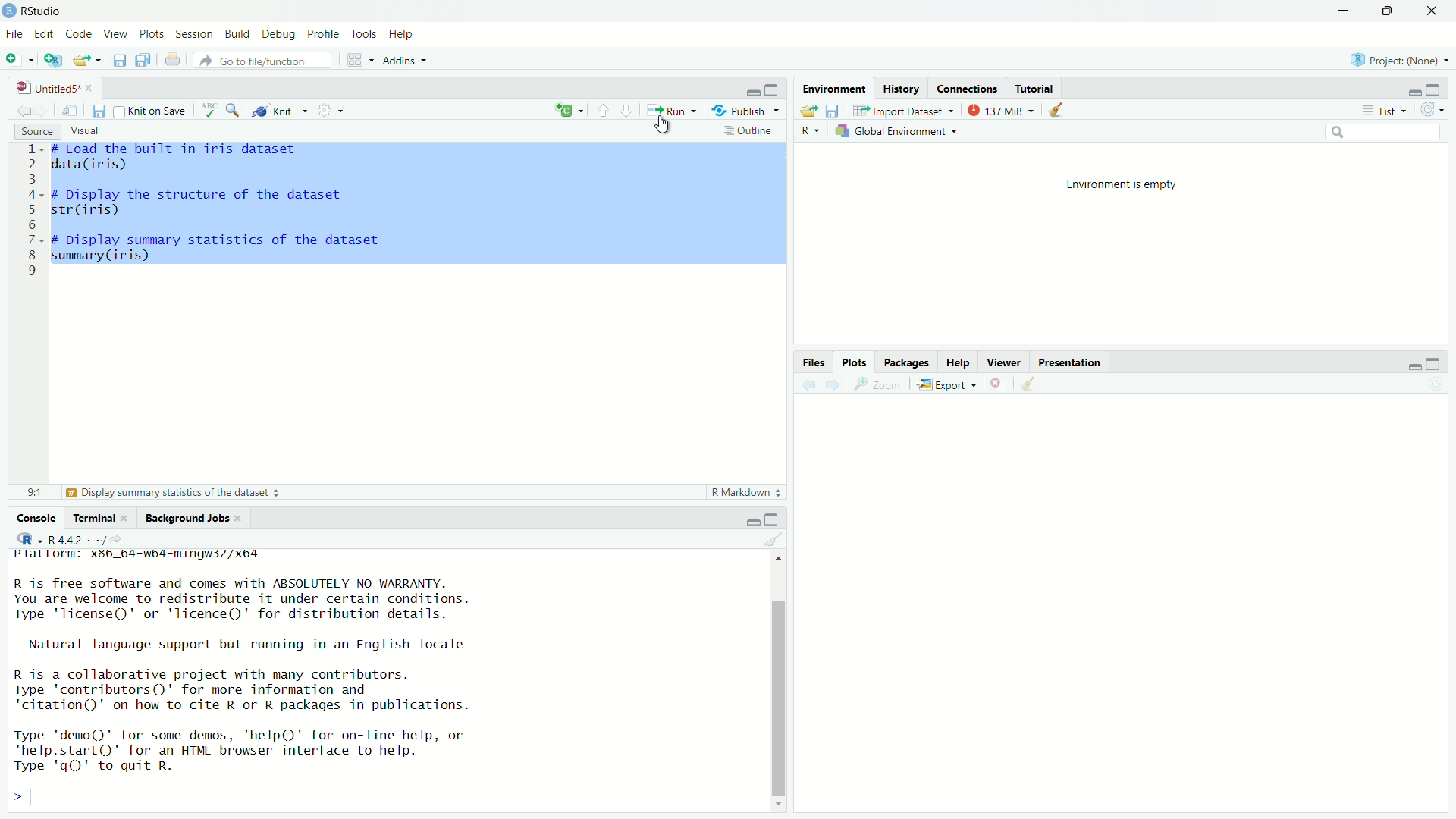 The image size is (1456, 819). I want to click on Session, so click(195, 33).